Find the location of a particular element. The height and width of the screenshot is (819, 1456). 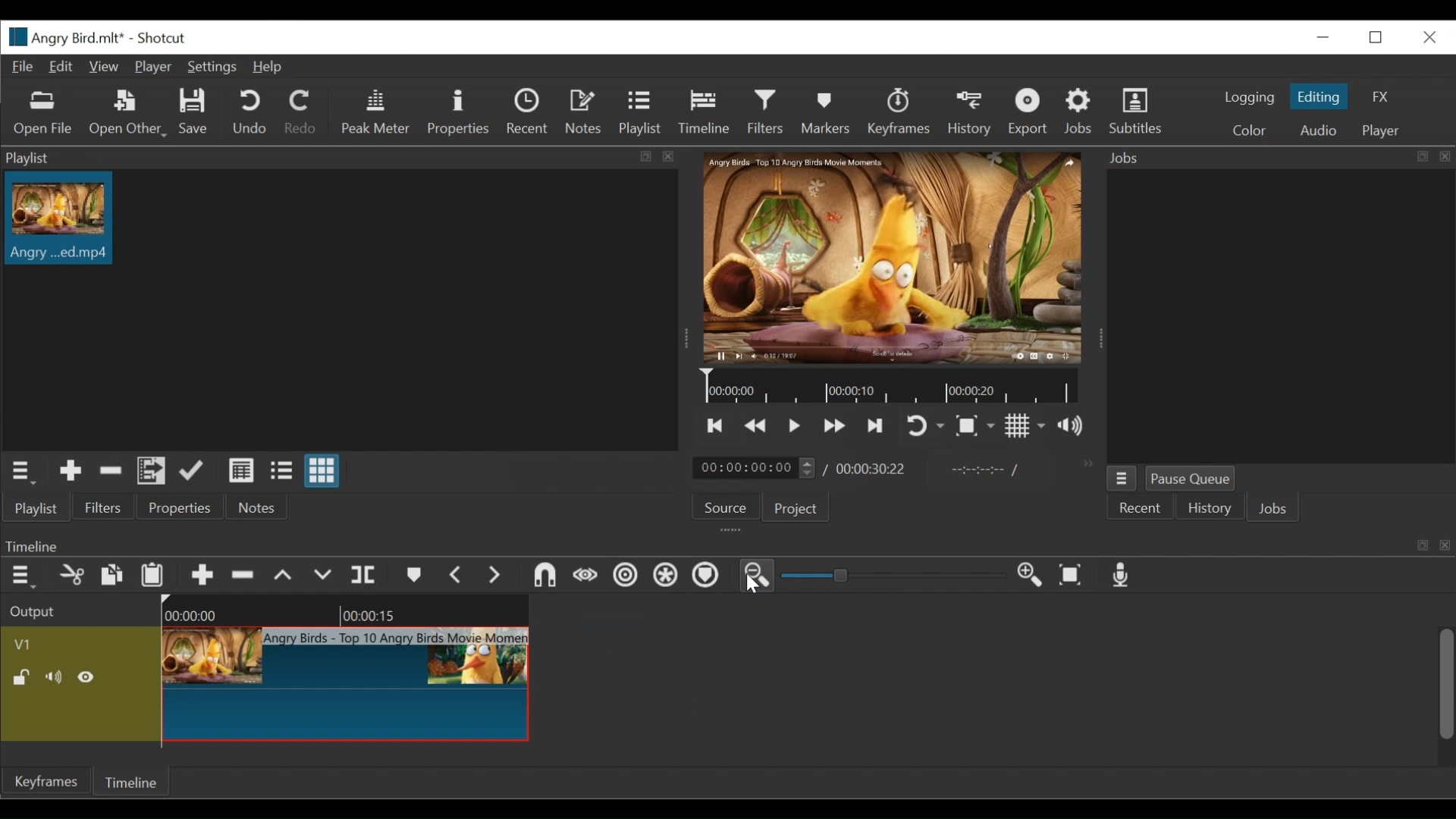

record audio is located at coordinates (1125, 576).